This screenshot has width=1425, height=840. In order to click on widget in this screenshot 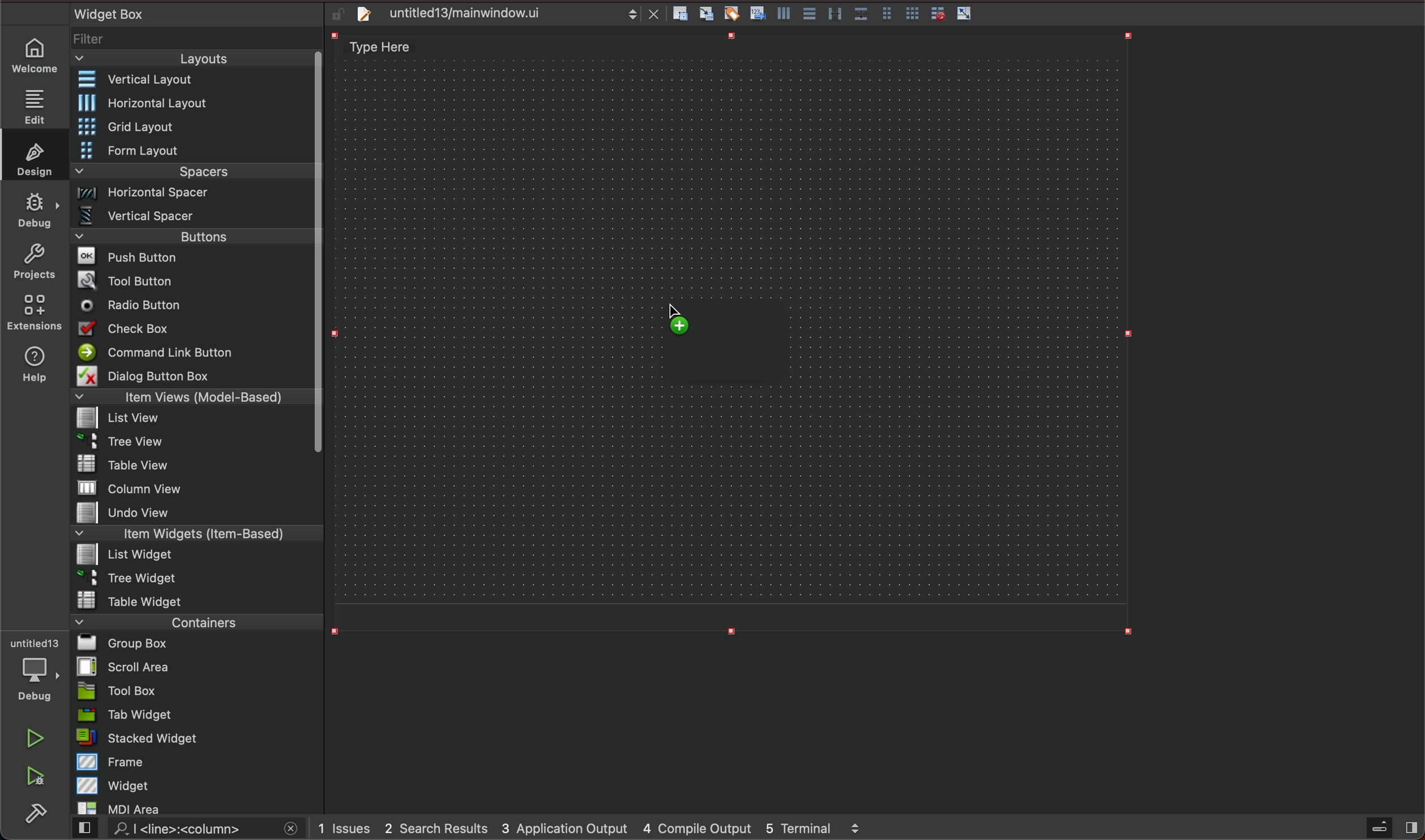, I will do `click(198, 785)`.